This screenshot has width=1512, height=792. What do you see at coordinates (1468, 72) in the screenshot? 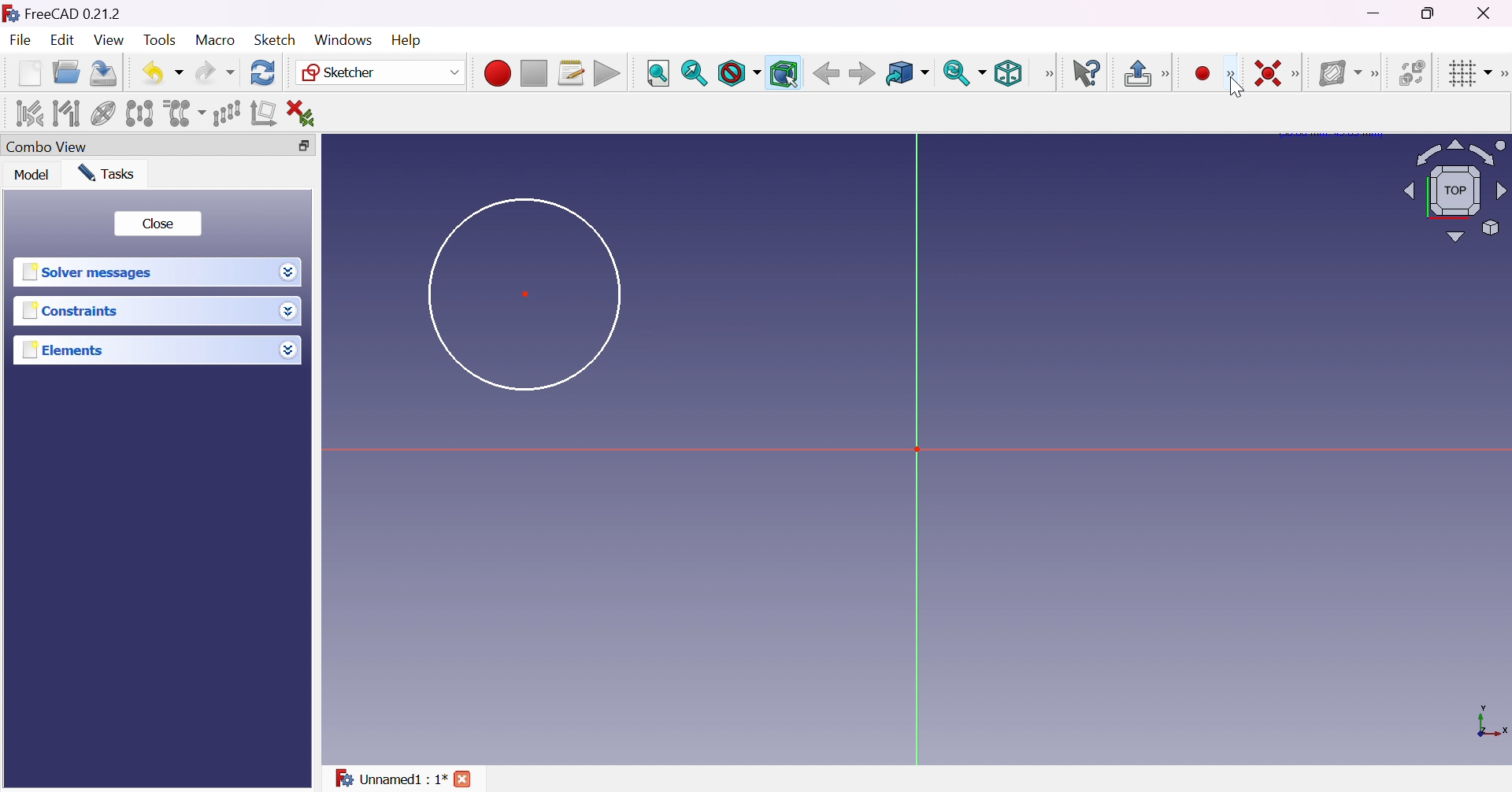
I see `Toggle grid` at bounding box center [1468, 72].